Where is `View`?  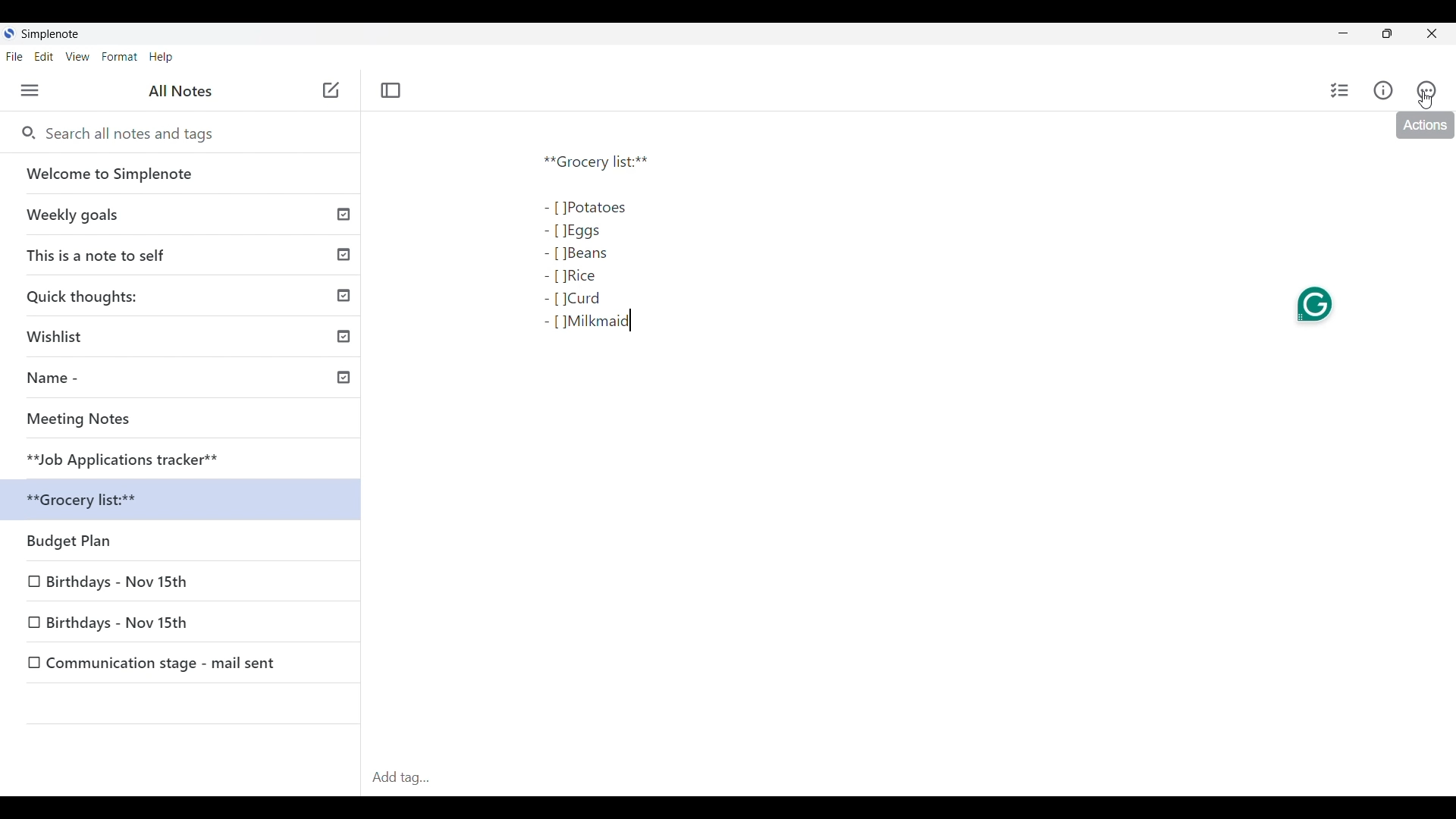 View is located at coordinates (78, 57).